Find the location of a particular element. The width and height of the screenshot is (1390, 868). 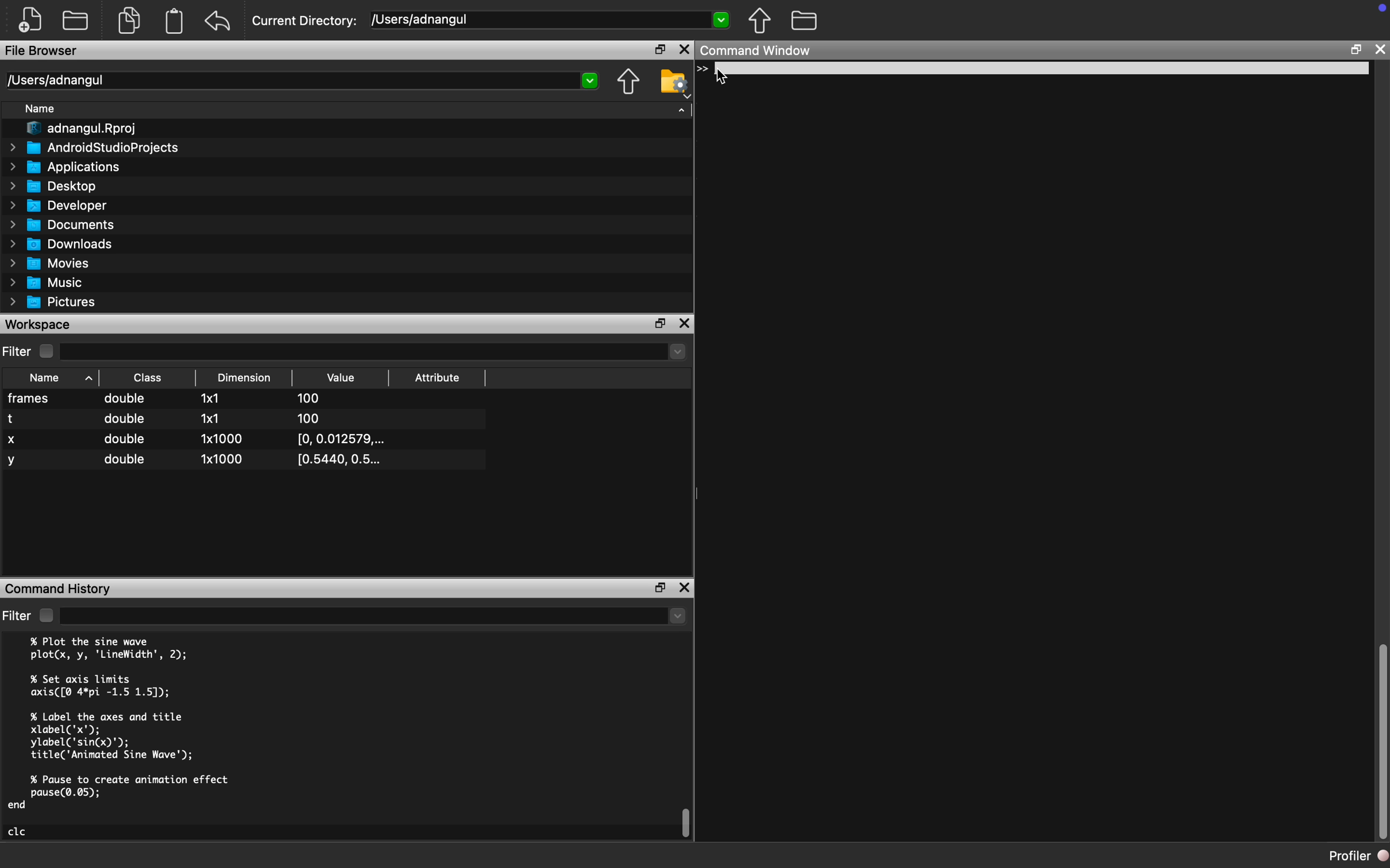

Parent Directory is located at coordinates (759, 21).